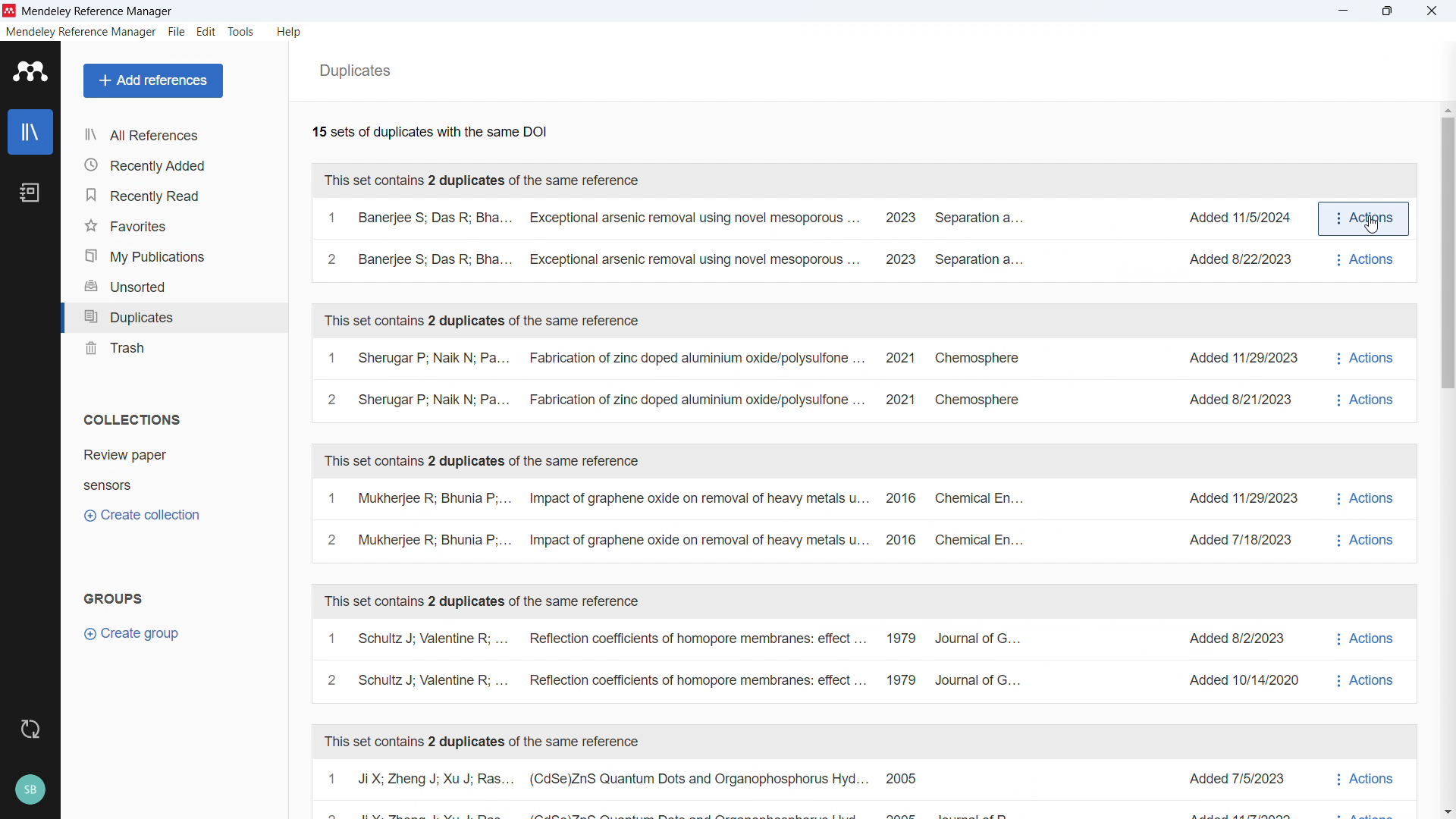 The image size is (1456, 819). I want to click on Scroll down, so click(1447, 812).